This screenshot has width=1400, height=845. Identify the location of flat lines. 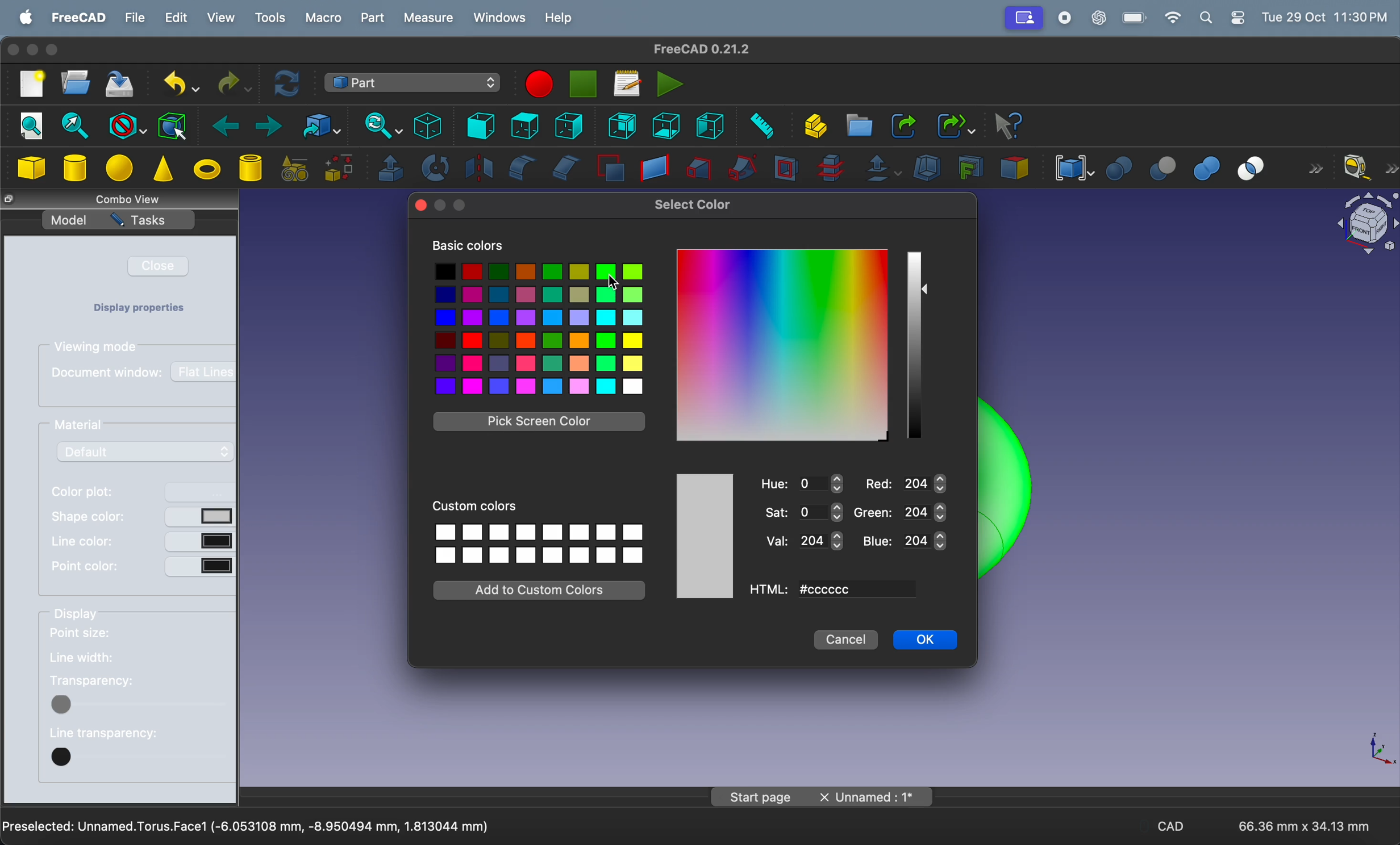
(202, 373).